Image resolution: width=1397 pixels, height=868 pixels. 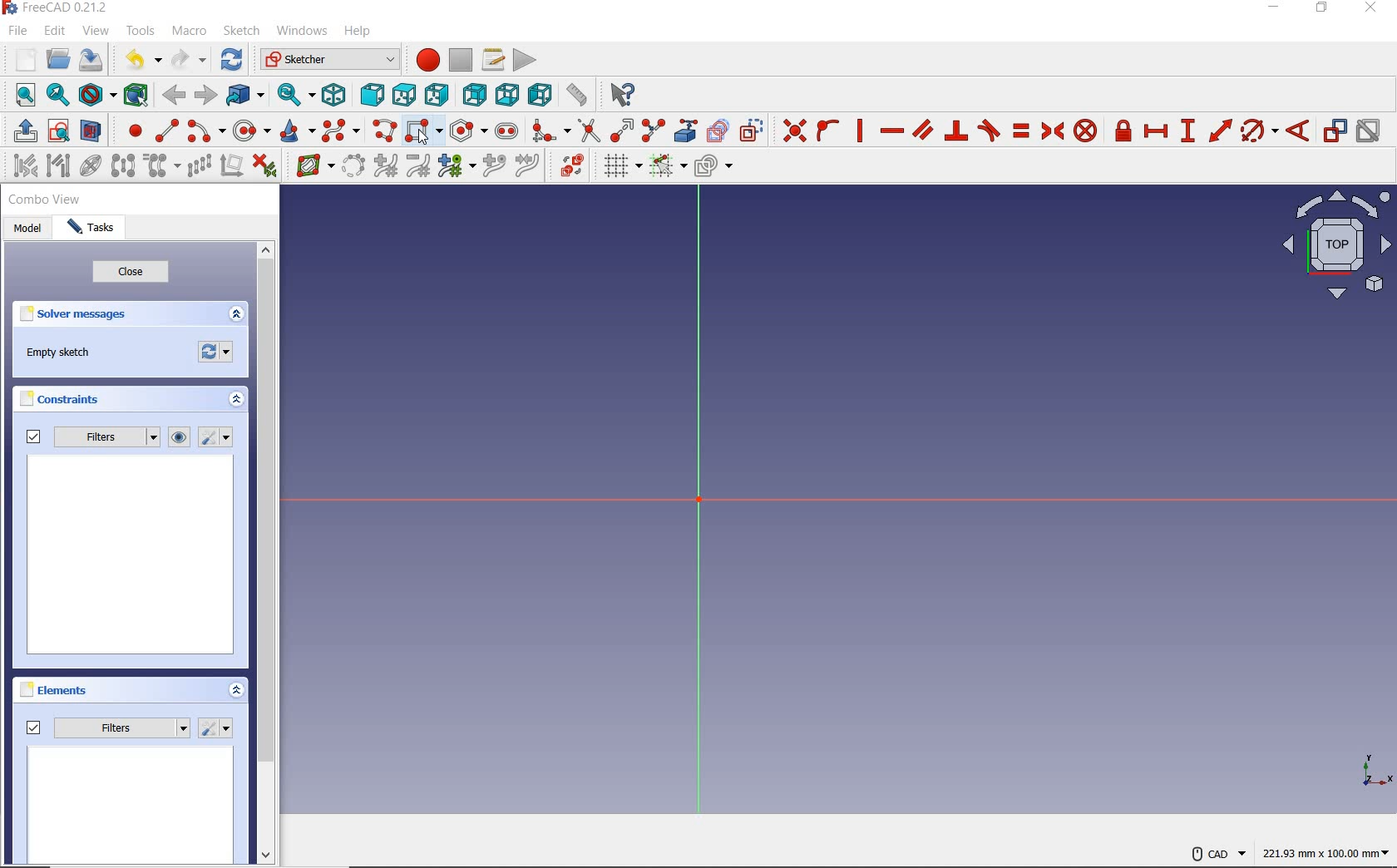 I want to click on cad, so click(x=1218, y=848).